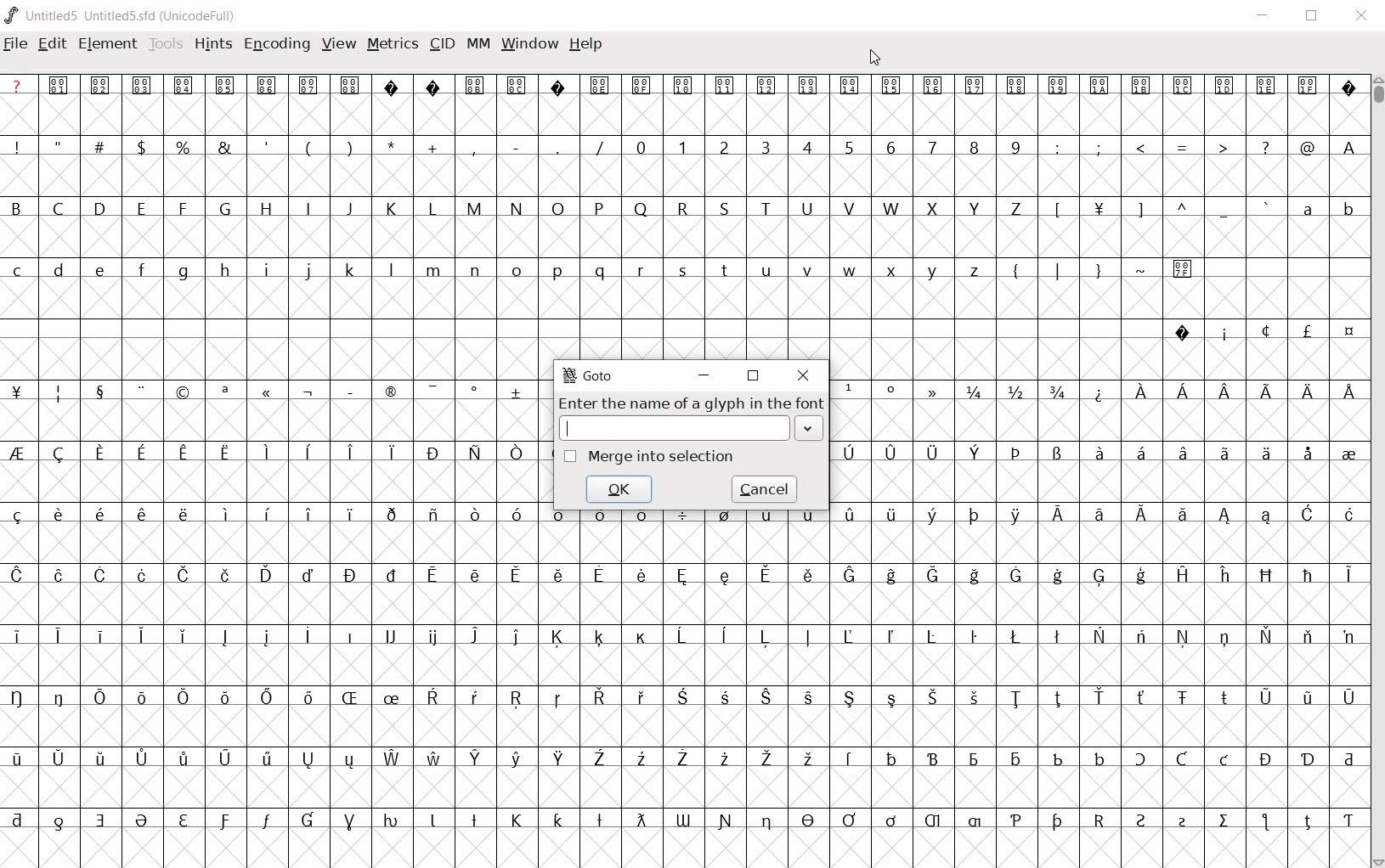  Describe the element at coordinates (1055, 392) in the screenshot. I see `3/4` at that location.